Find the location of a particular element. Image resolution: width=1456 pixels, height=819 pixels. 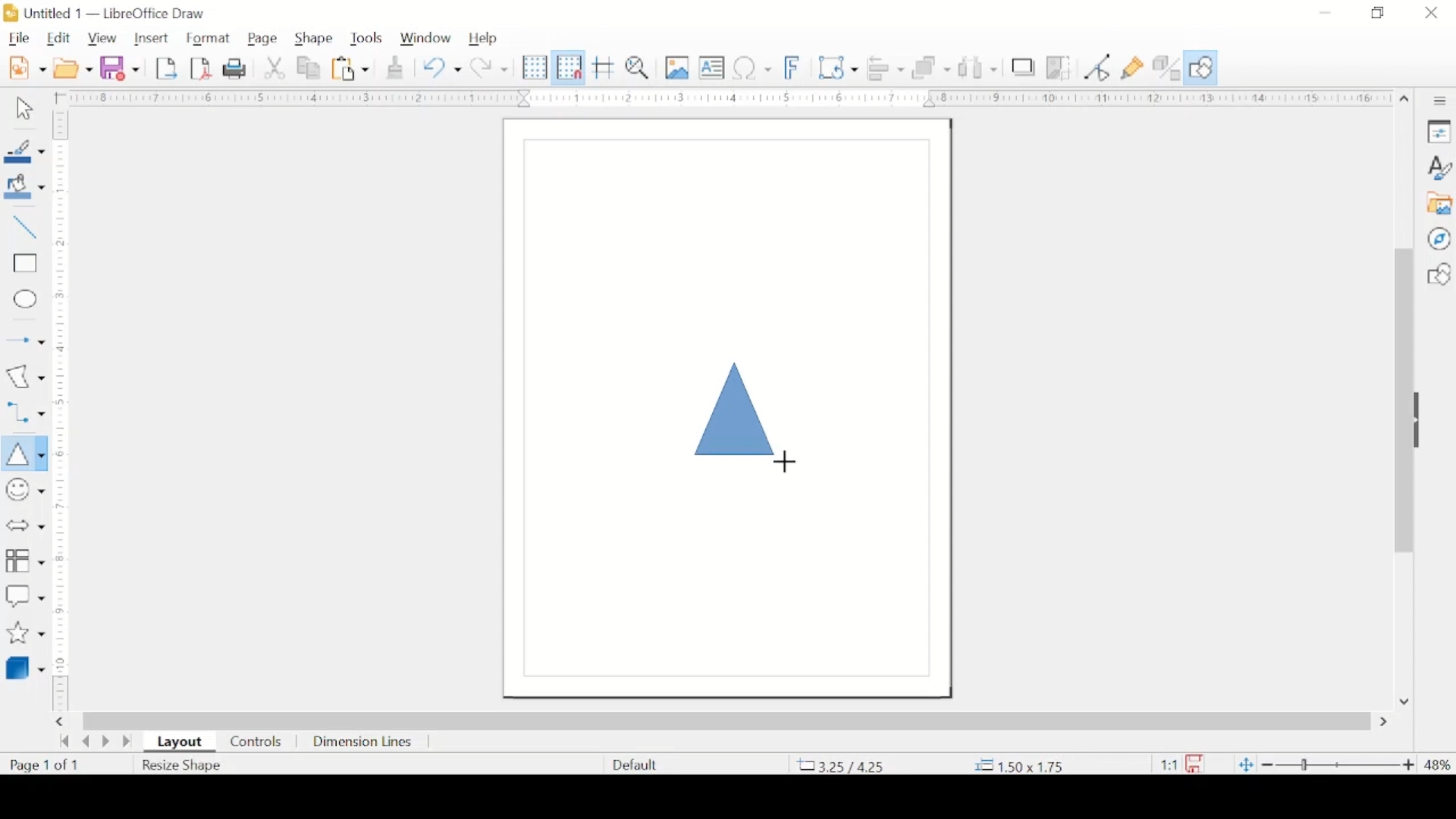

copy is located at coordinates (310, 69).